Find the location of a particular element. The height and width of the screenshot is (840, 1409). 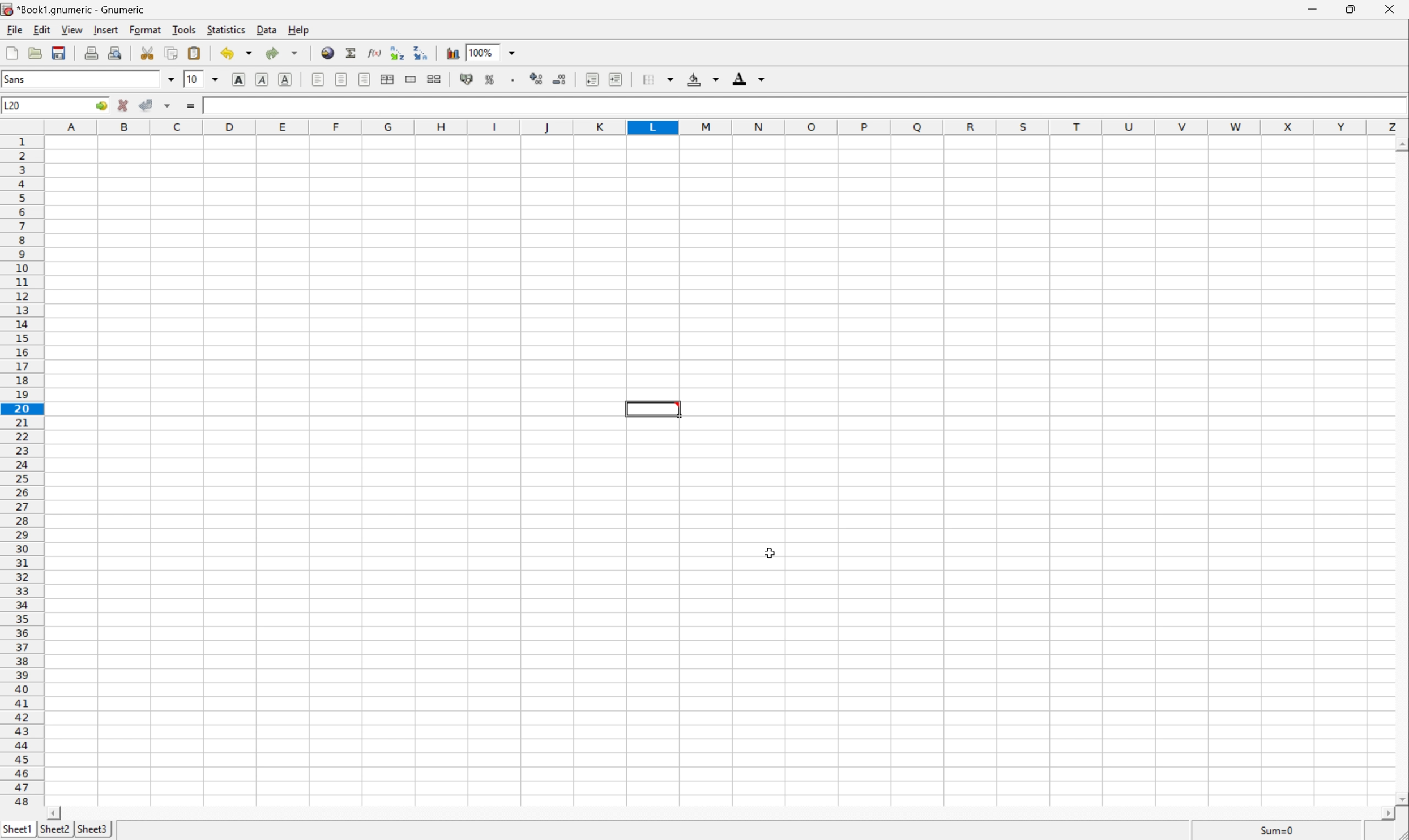

View is located at coordinates (73, 29).